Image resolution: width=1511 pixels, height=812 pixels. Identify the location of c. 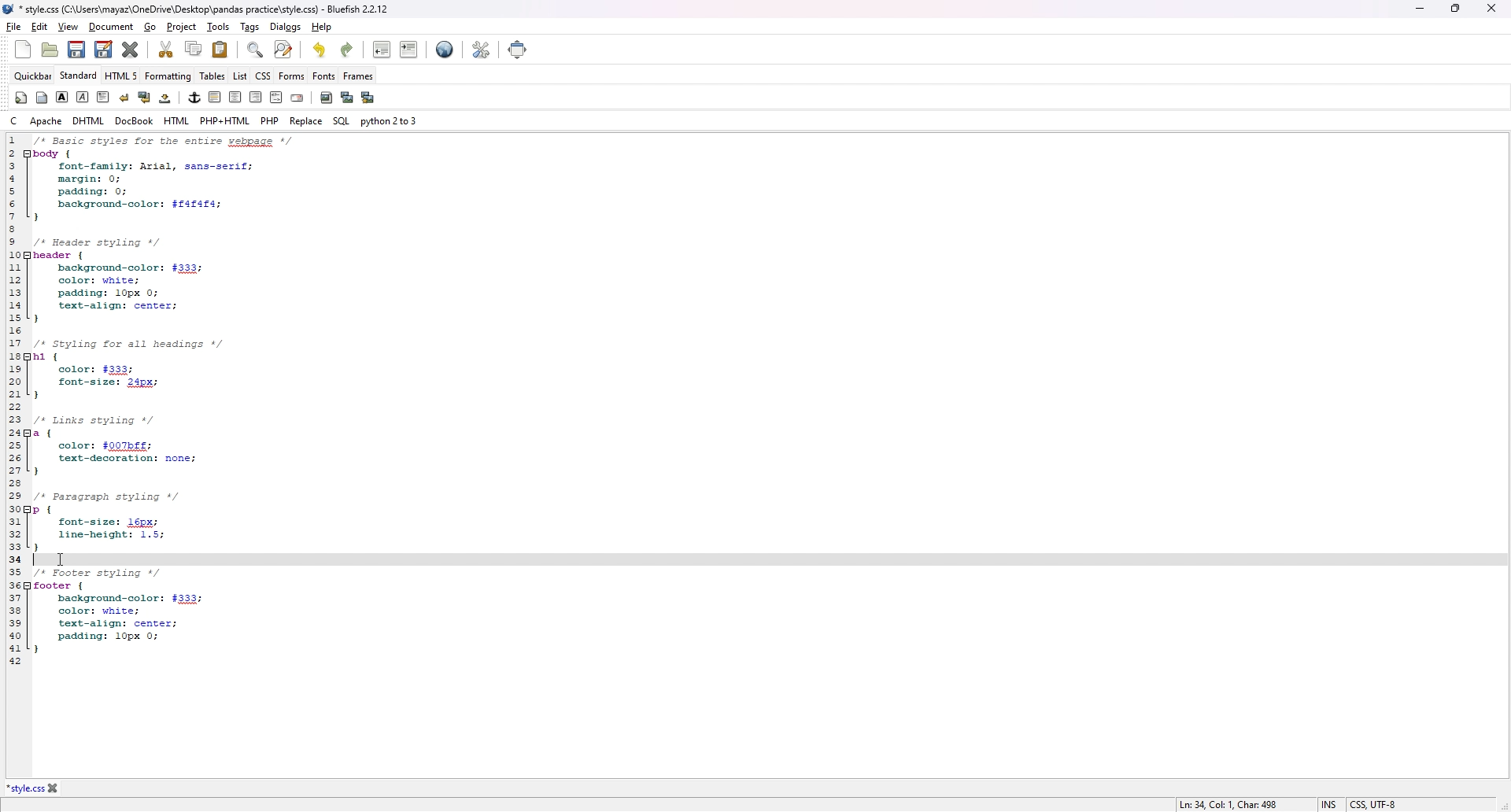
(13, 122).